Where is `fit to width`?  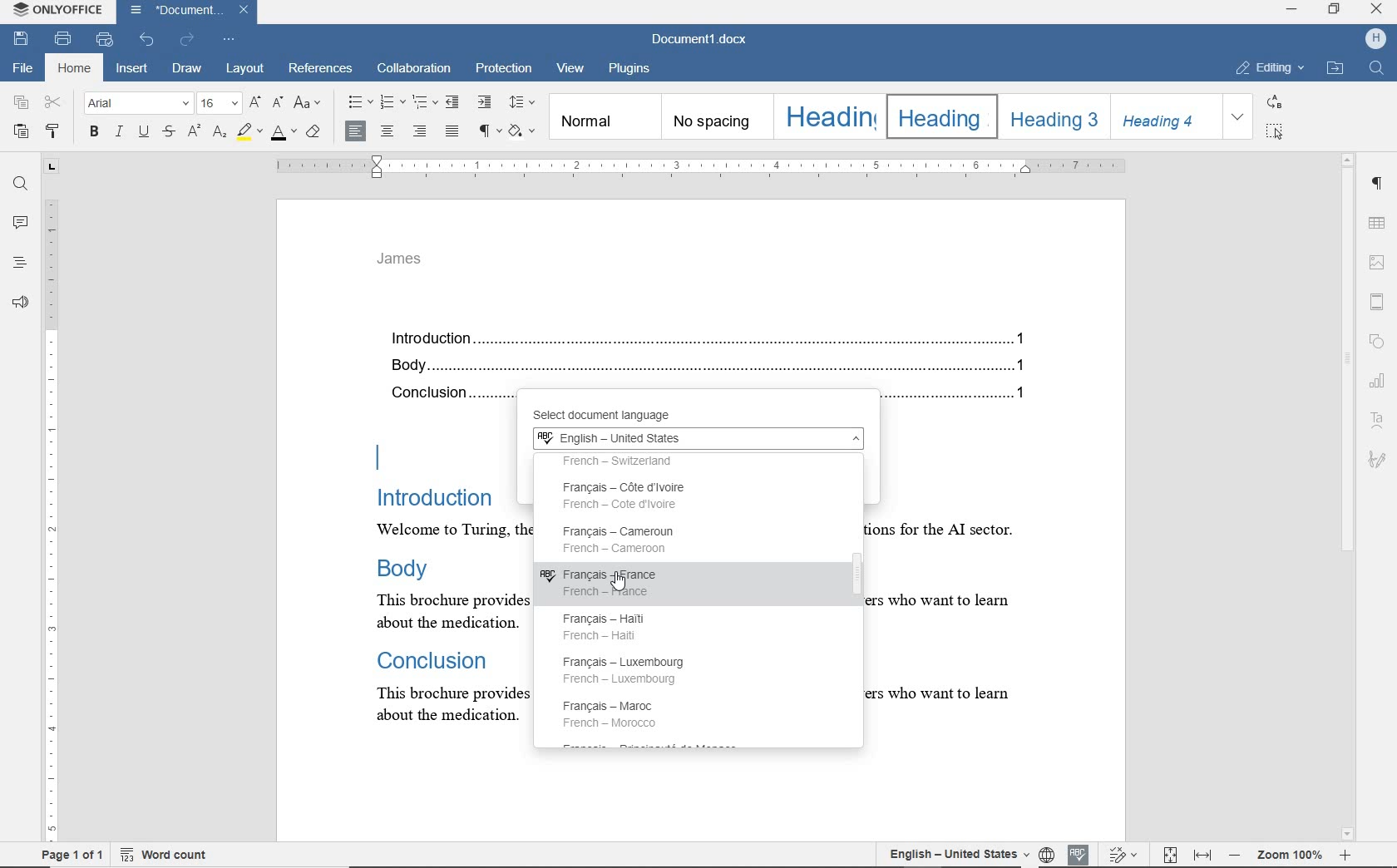
fit to width is located at coordinates (1204, 856).